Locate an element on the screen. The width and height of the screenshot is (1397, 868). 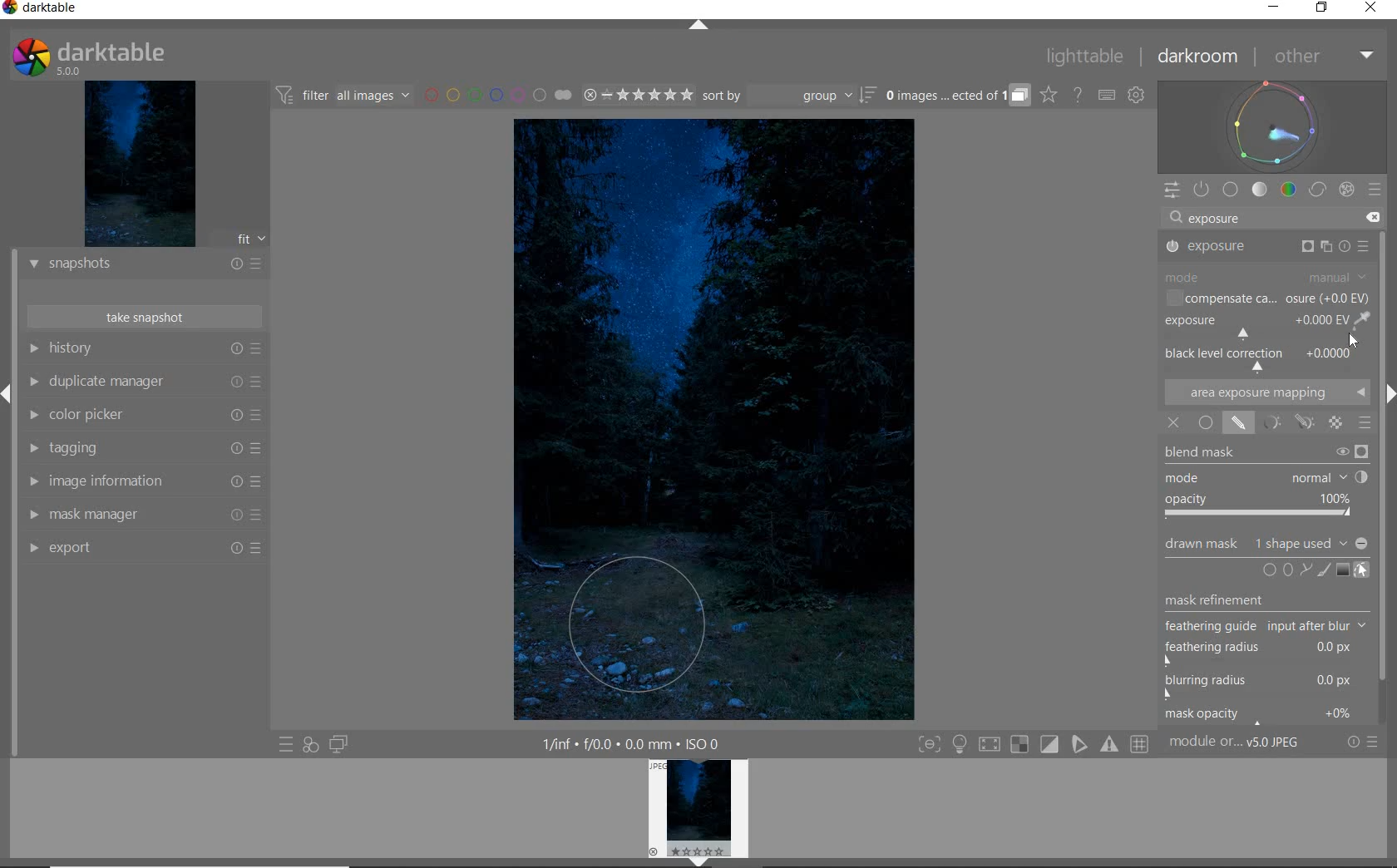
RESET OR PRESETS & PREFERENCES is located at coordinates (1364, 742).